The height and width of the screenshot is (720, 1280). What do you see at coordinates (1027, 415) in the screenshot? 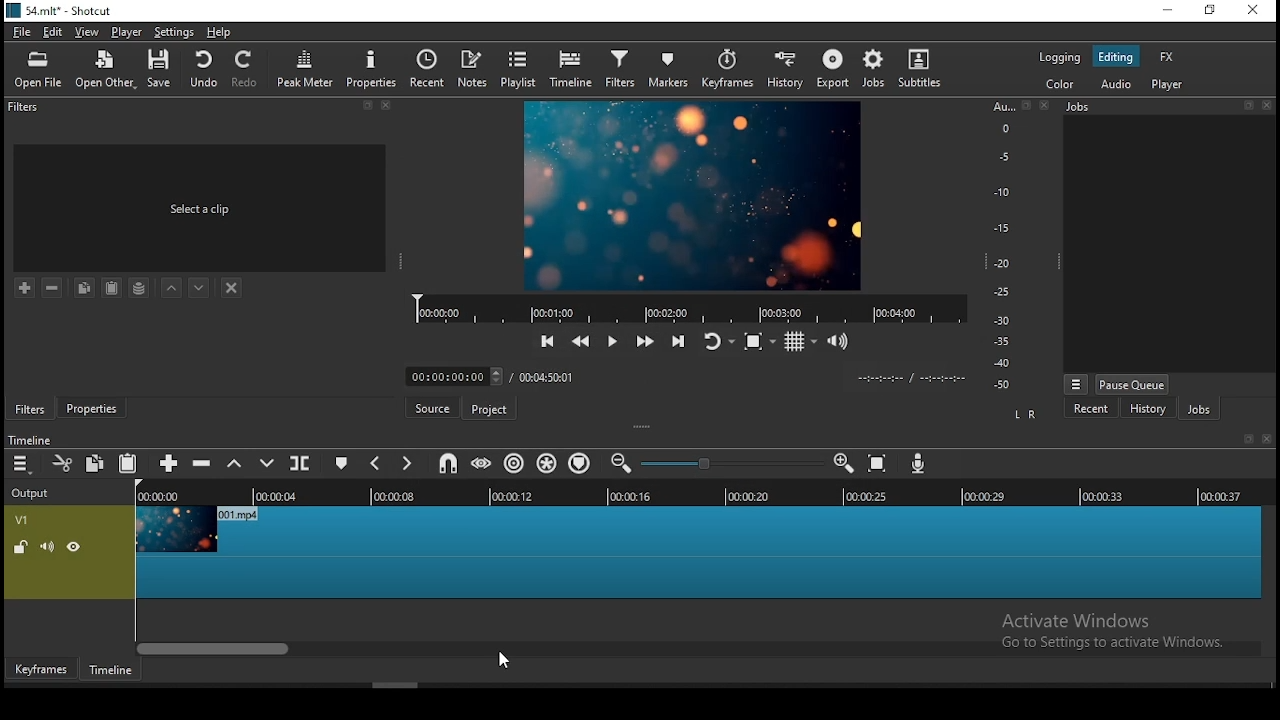
I see `L R` at bounding box center [1027, 415].